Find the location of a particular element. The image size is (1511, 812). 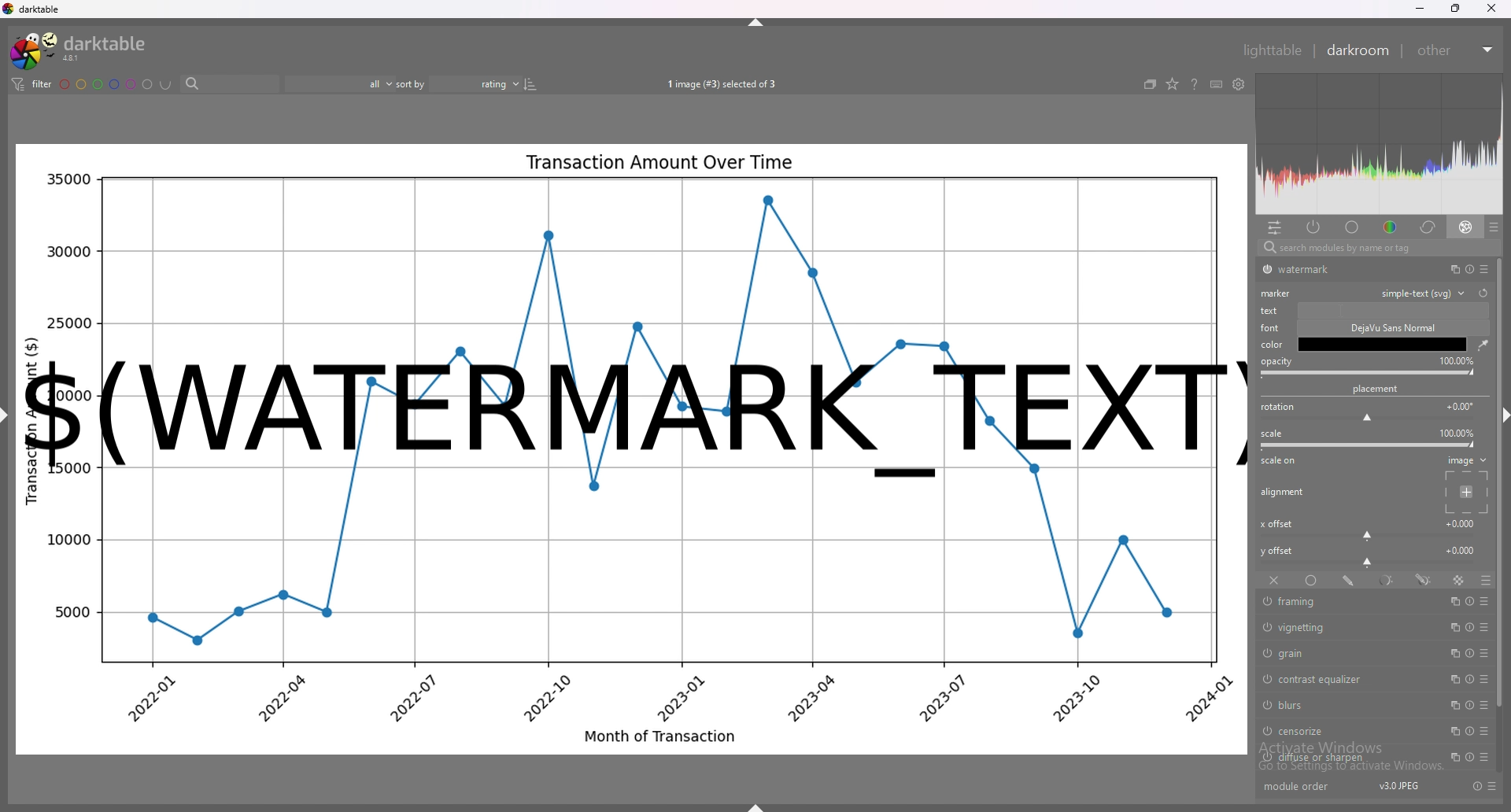

filter is located at coordinates (34, 85).